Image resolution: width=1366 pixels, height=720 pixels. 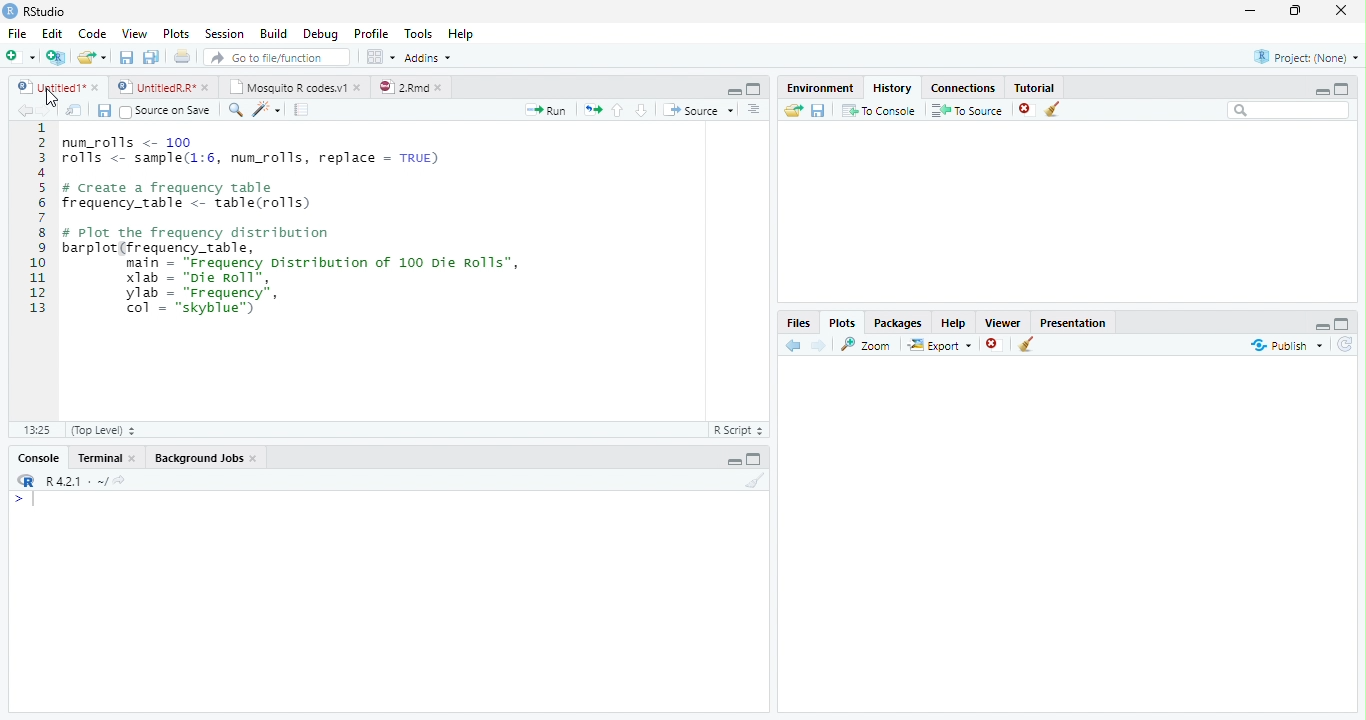 I want to click on History, so click(x=893, y=86).